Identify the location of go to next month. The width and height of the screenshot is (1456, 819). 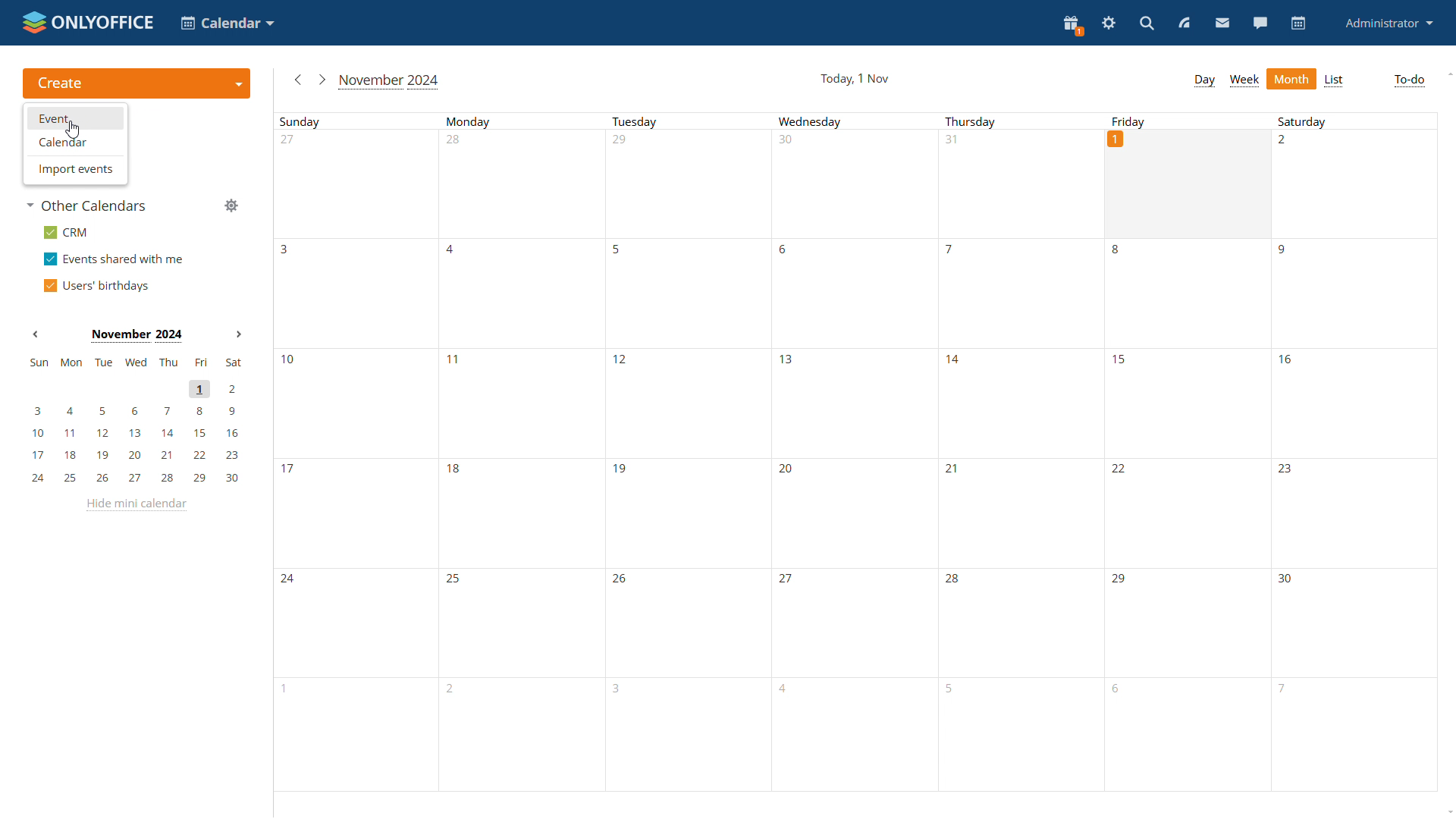
(322, 80).